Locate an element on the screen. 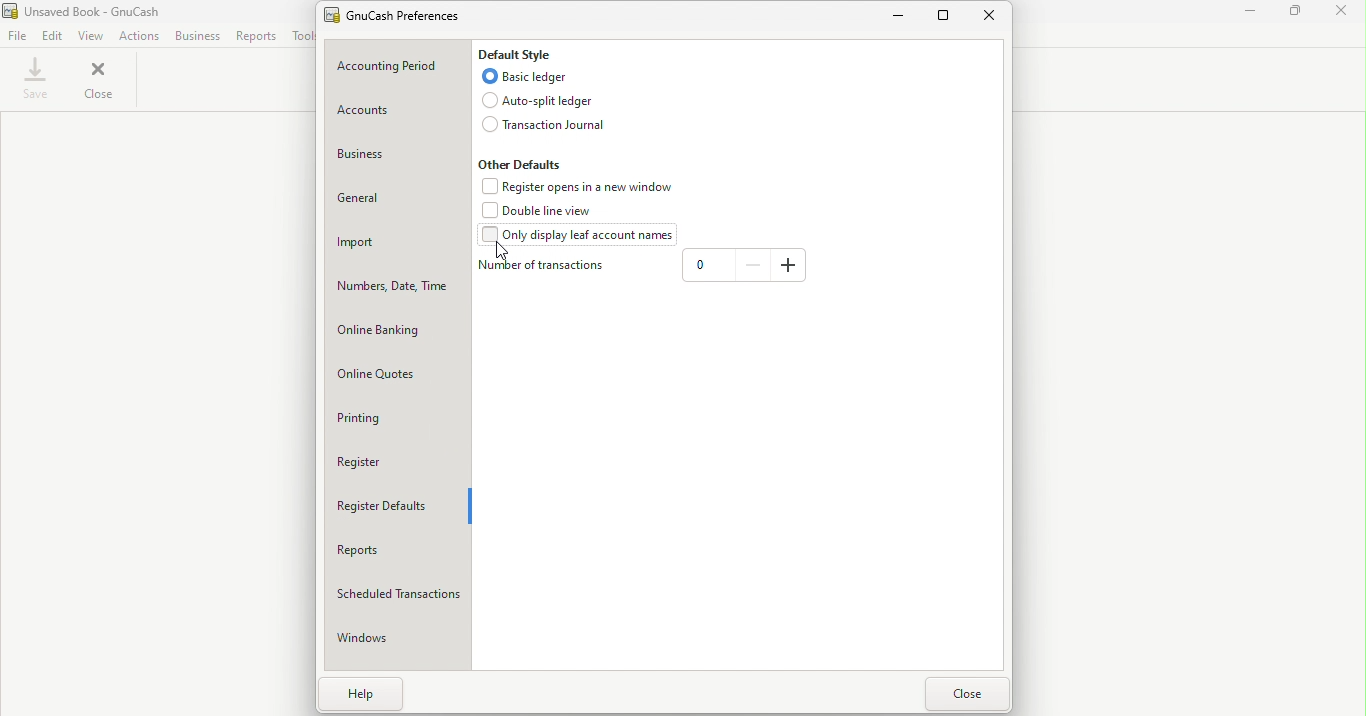 This screenshot has height=716, width=1366. Add number is located at coordinates (789, 266).